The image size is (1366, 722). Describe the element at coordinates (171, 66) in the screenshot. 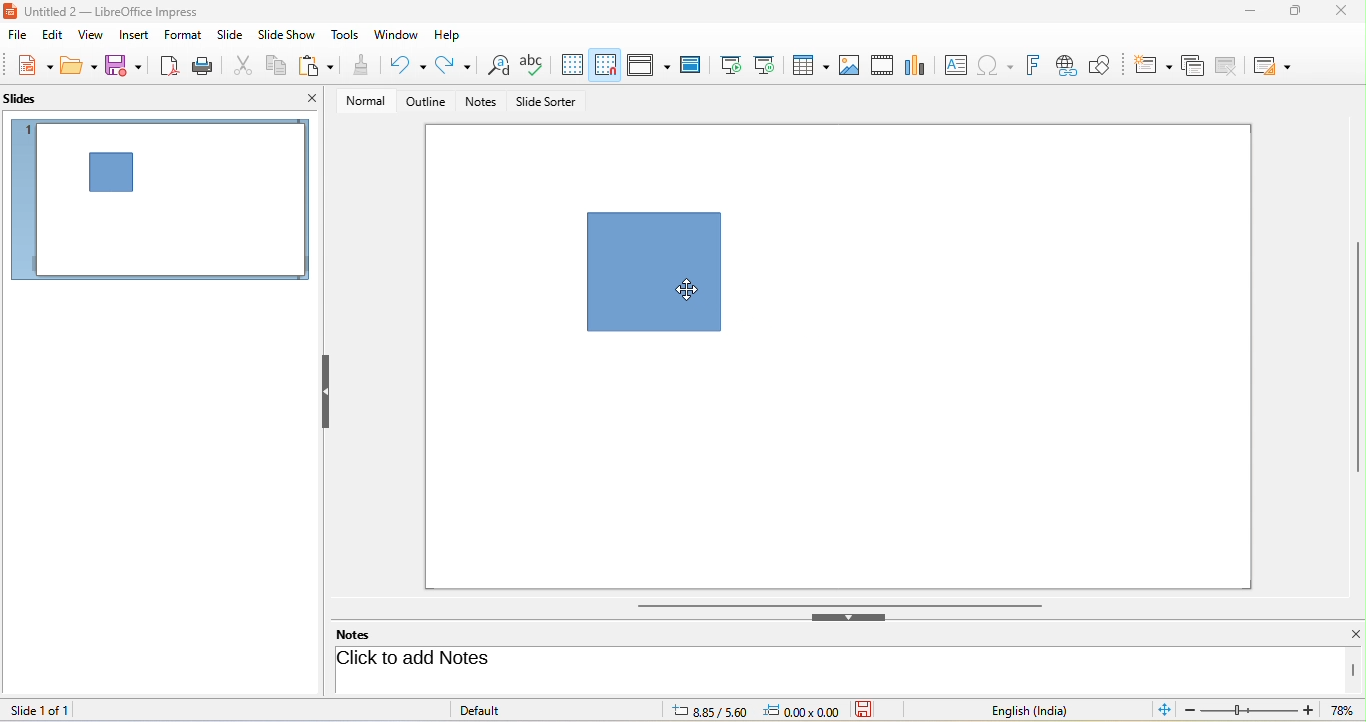

I see `export directly as pdf` at that location.